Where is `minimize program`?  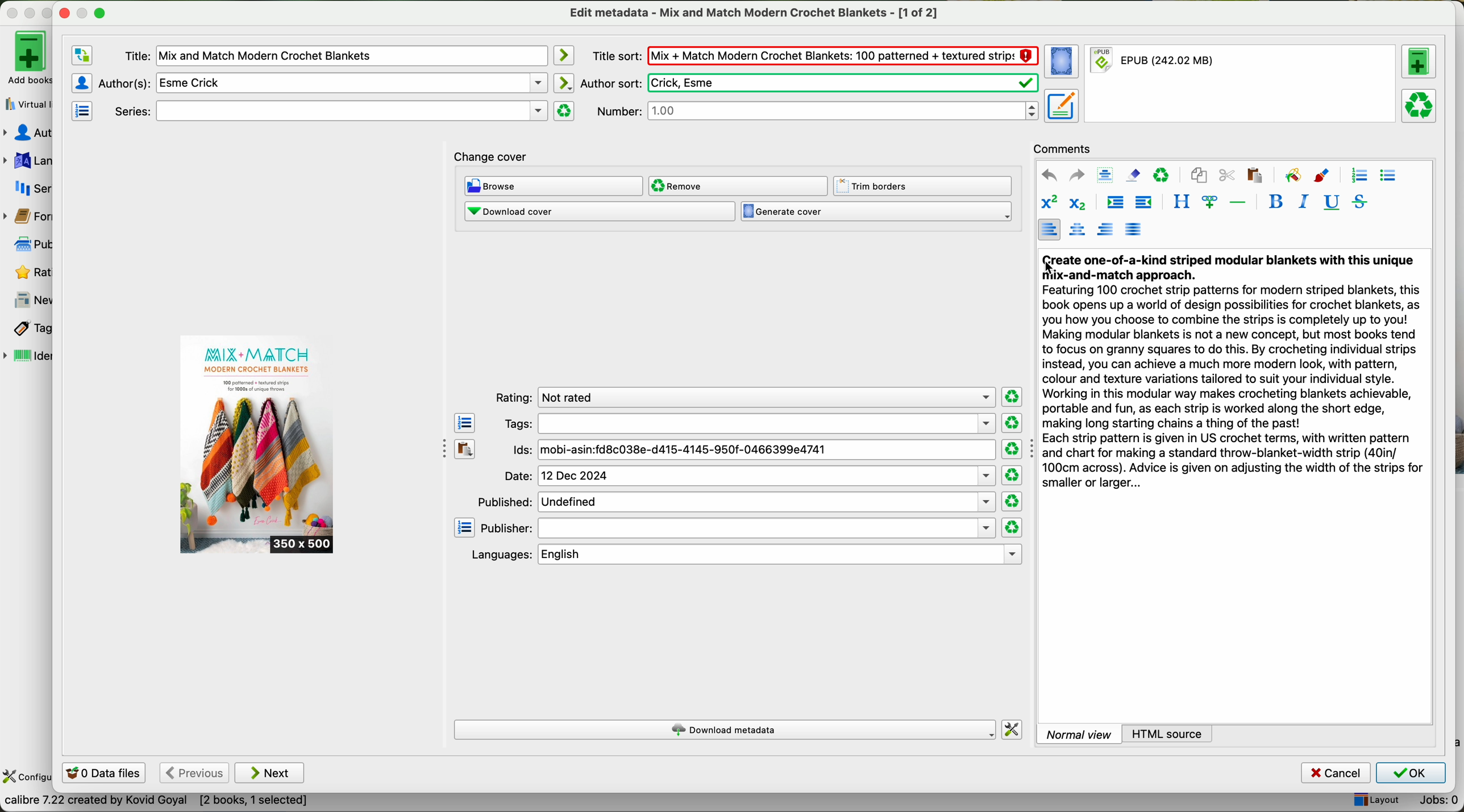
minimize program is located at coordinates (32, 13).